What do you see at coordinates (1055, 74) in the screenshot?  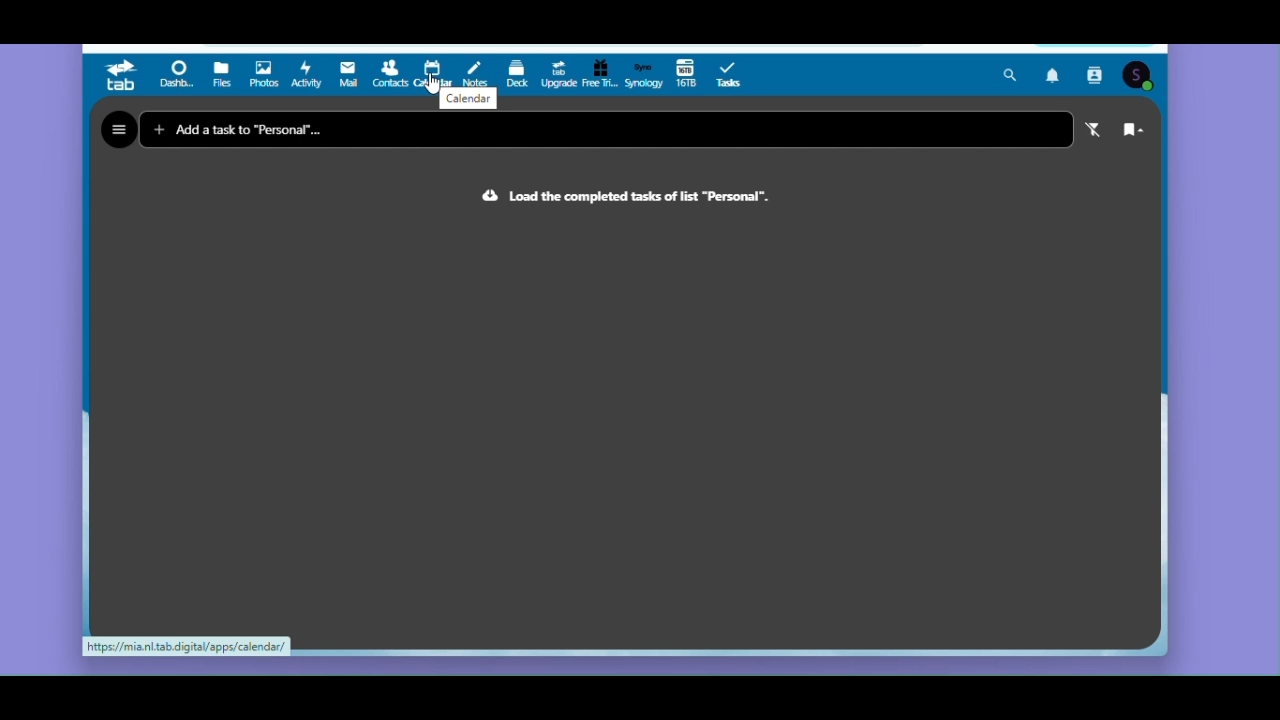 I see `Notifications` at bounding box center [1055, 74].